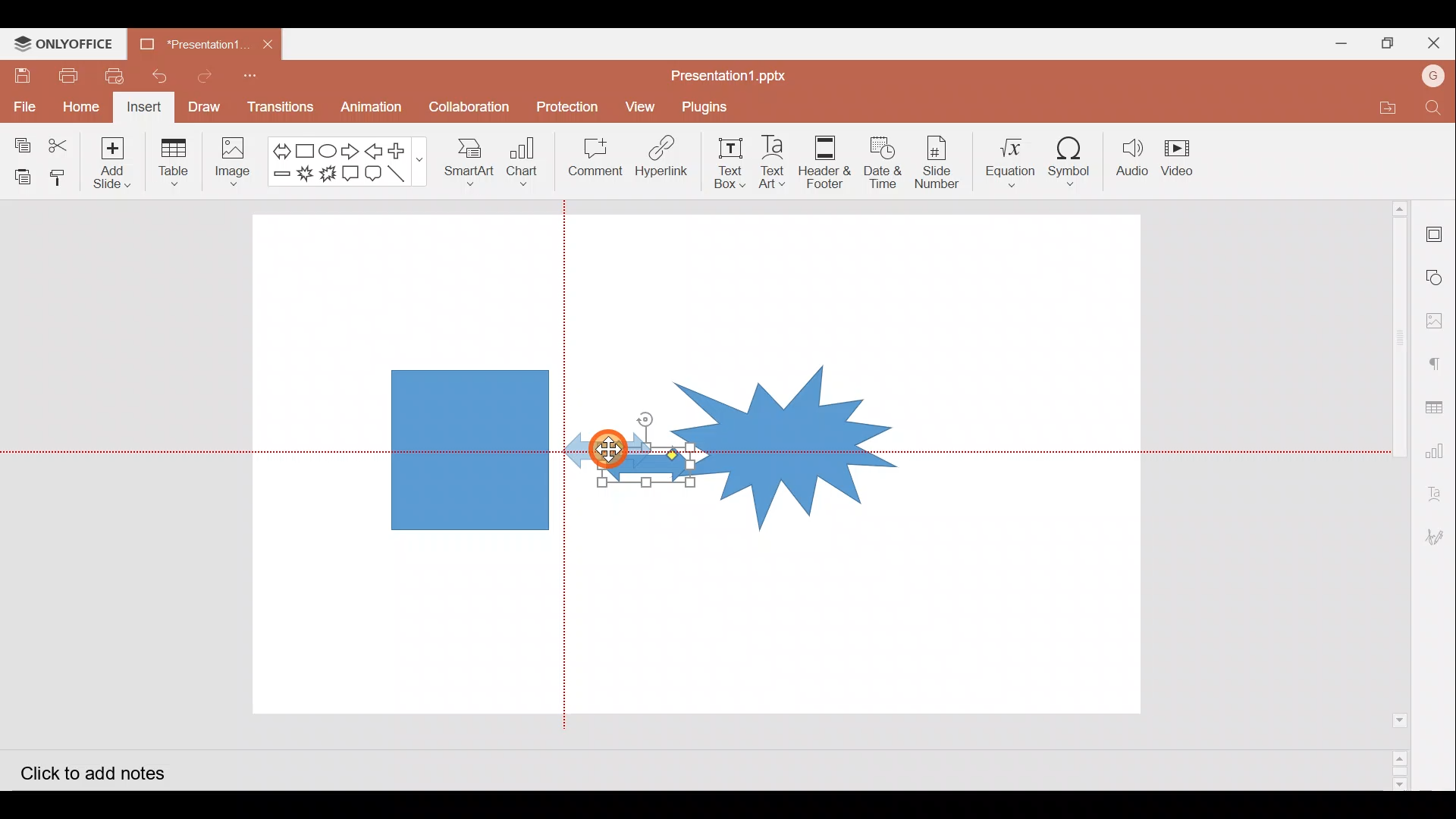 The height and width of the screenshot is (819, 1456). What do you see at coordinates (277, 148) in the screenshot?
I see `Left right arrow` at bounding box center [277, 148].